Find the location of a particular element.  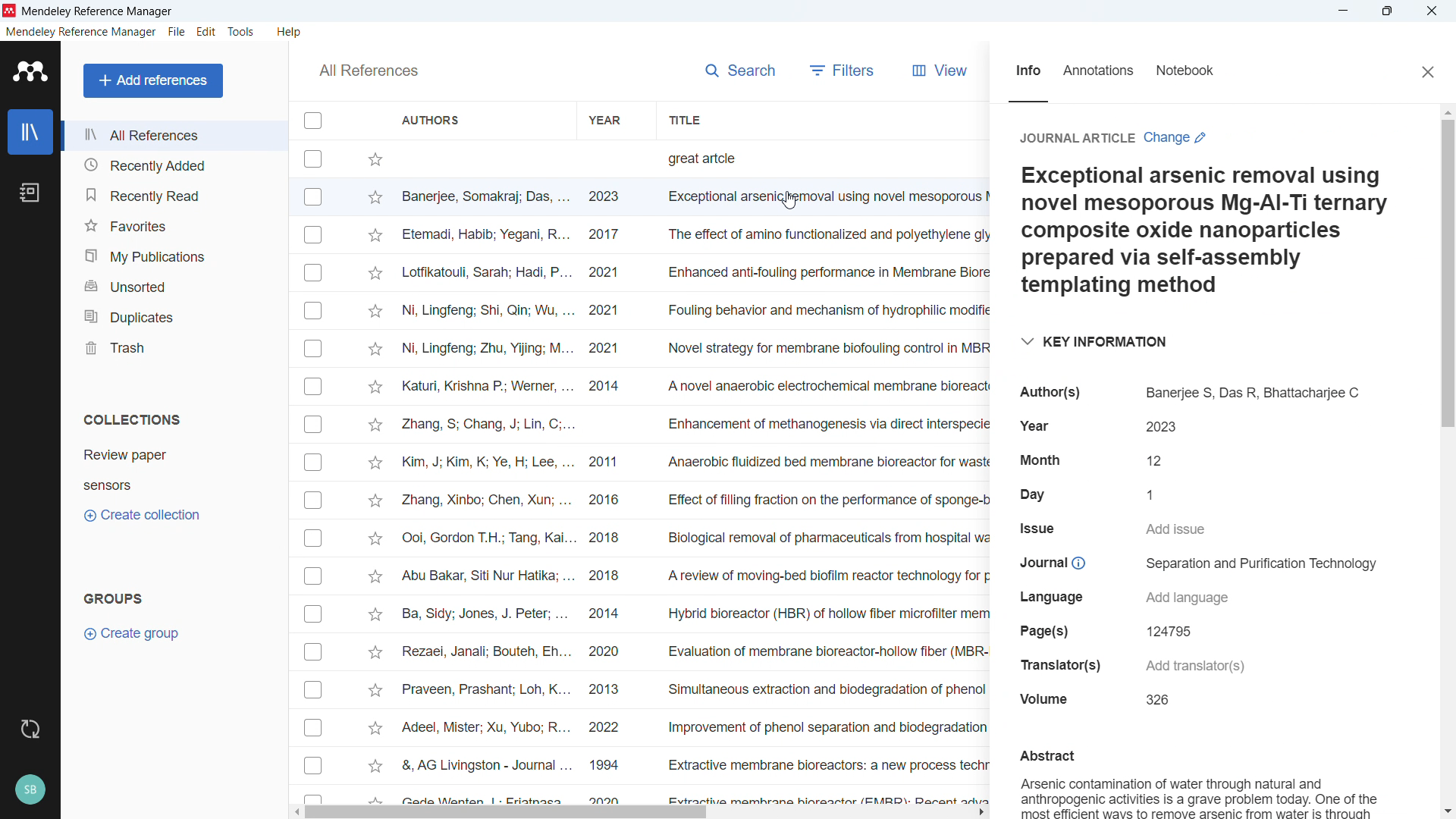

notebook is located at coordinates (30, 192).